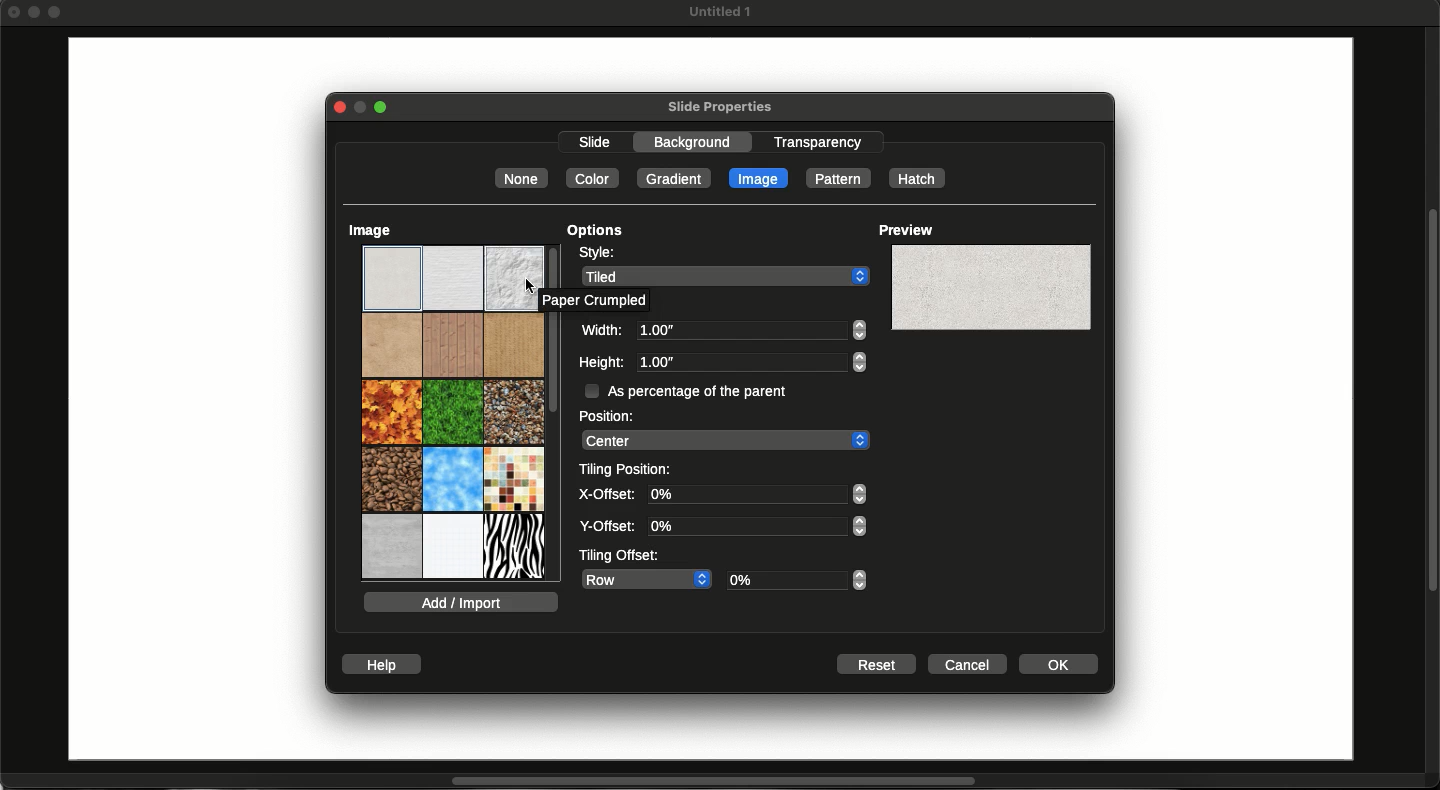 The image size is (1440, 790). Describe the element at coordinates (618, 554) in the screenshot. I see `Tiling offset:` at that location.